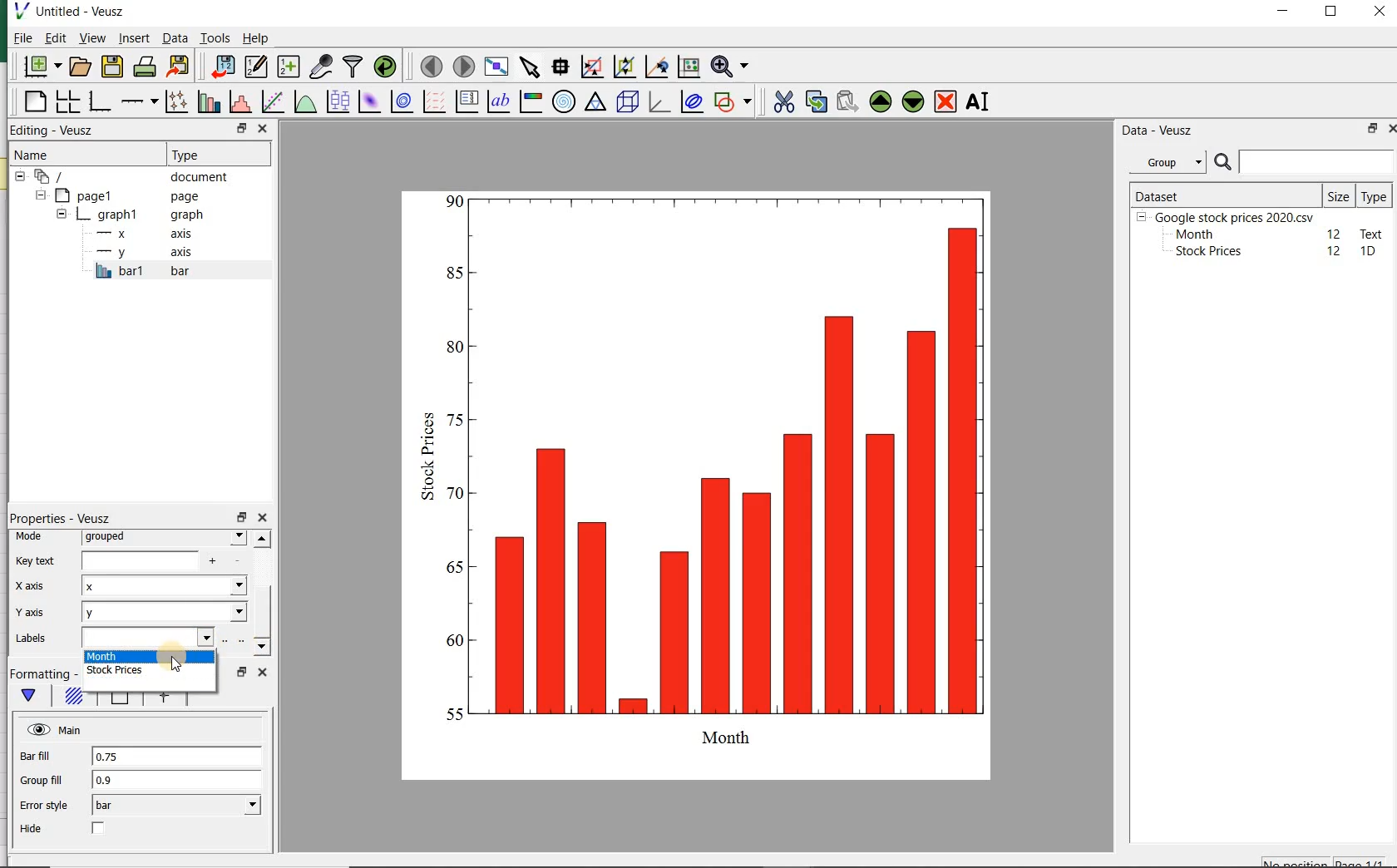 This screenshot has height=868, width=1397. I want to click on scrollbar, so click(261, 595).